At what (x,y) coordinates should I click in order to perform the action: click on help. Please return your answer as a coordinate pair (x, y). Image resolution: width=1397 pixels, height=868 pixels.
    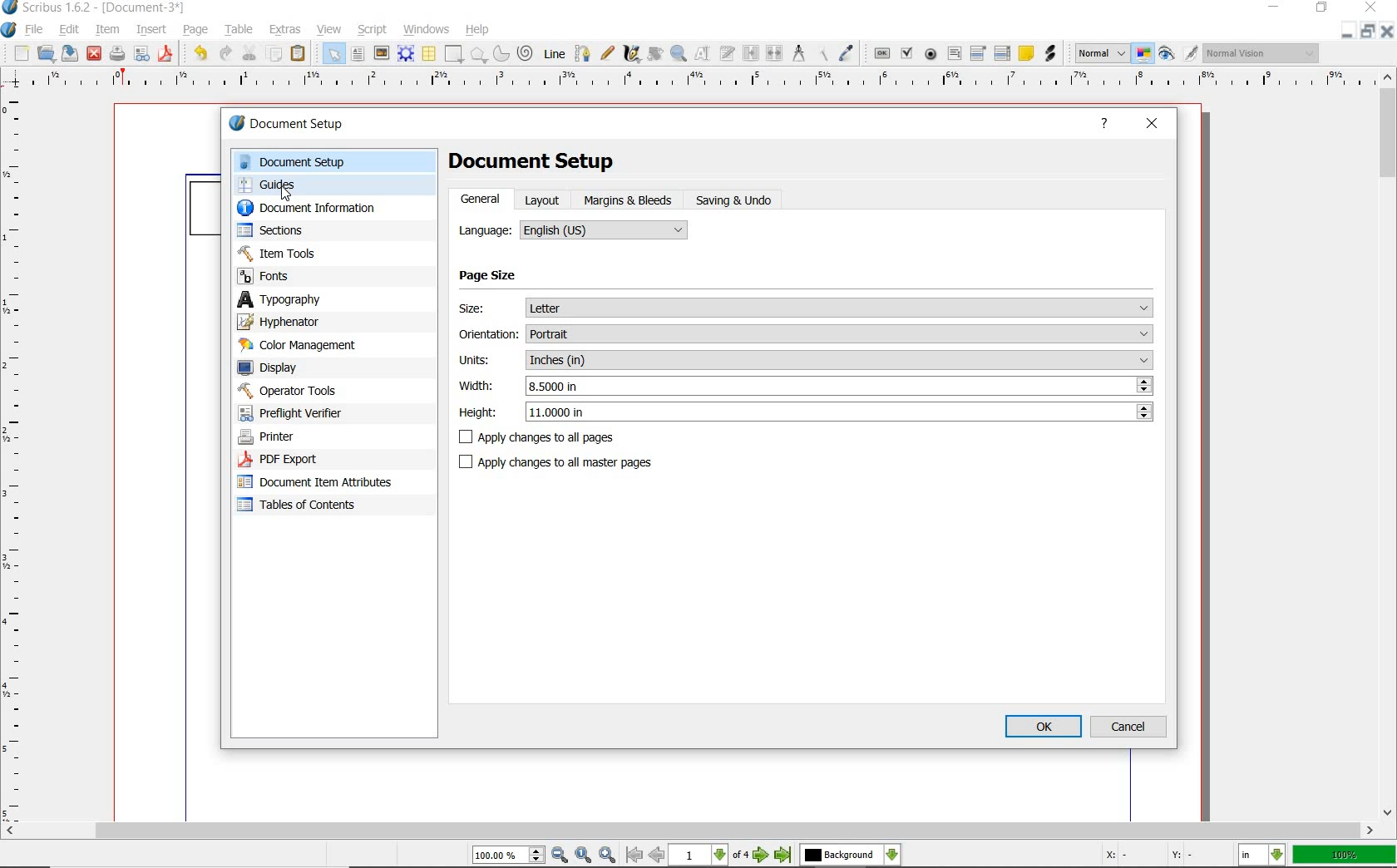
    Looking at the image, I should click on (477, 31).